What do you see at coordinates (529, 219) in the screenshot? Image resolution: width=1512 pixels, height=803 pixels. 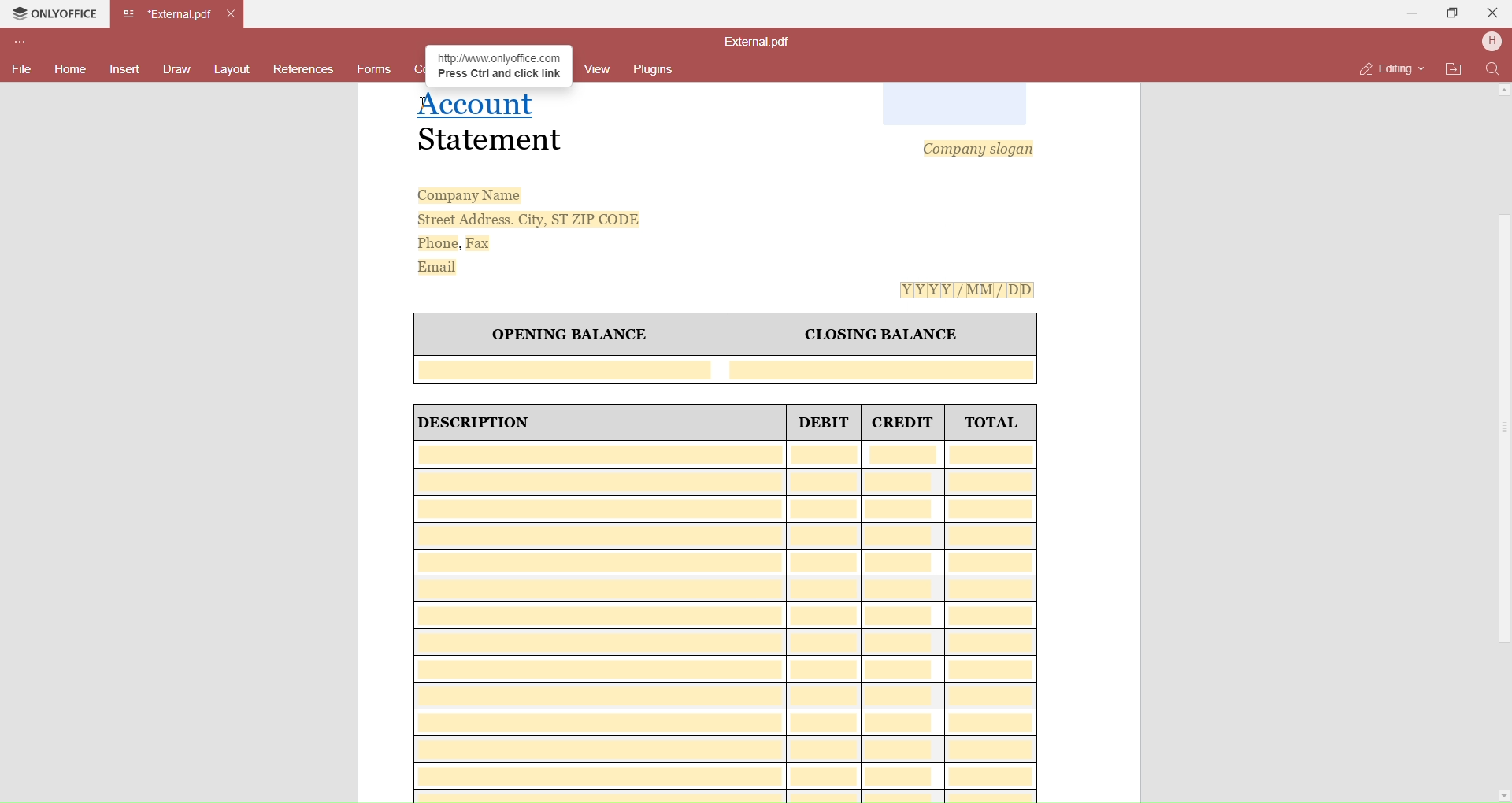 I see `Street Address. City, ST ZIP CODE` at bounding box center [529, 219].